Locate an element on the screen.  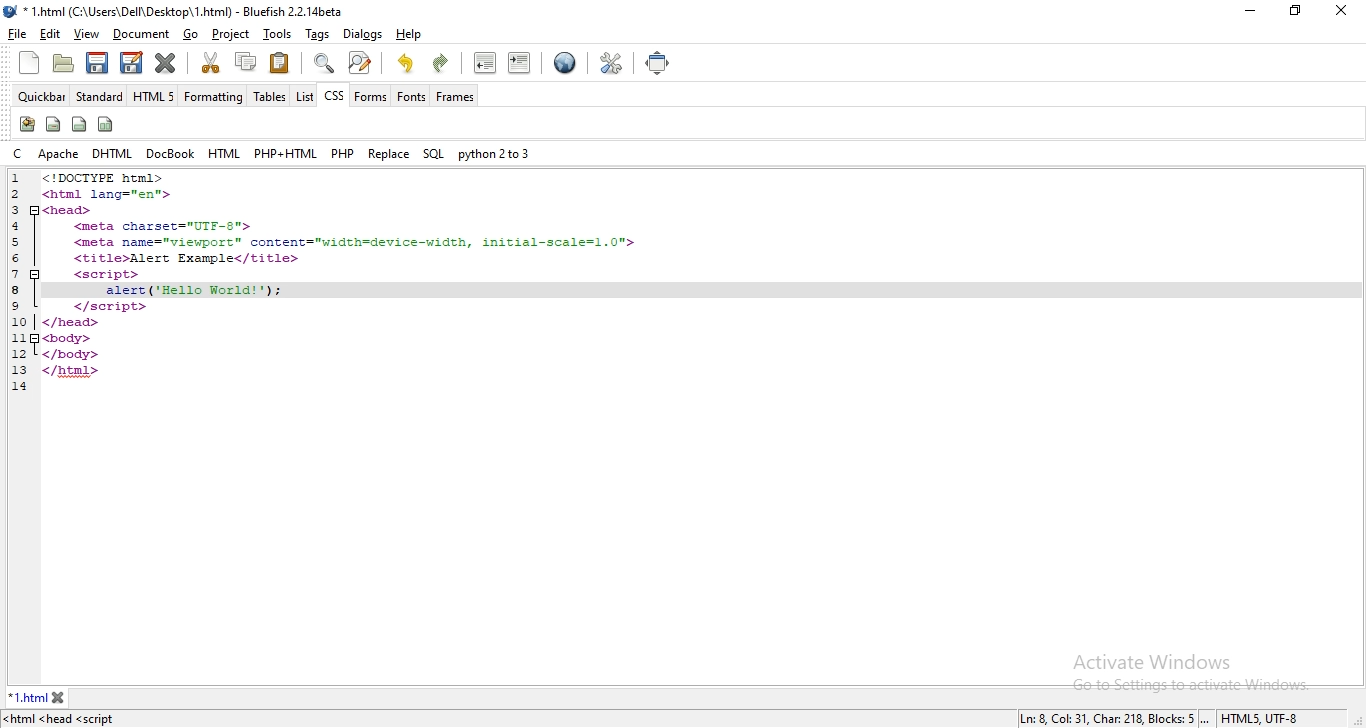
fonts is located at coordinates (409, 97).